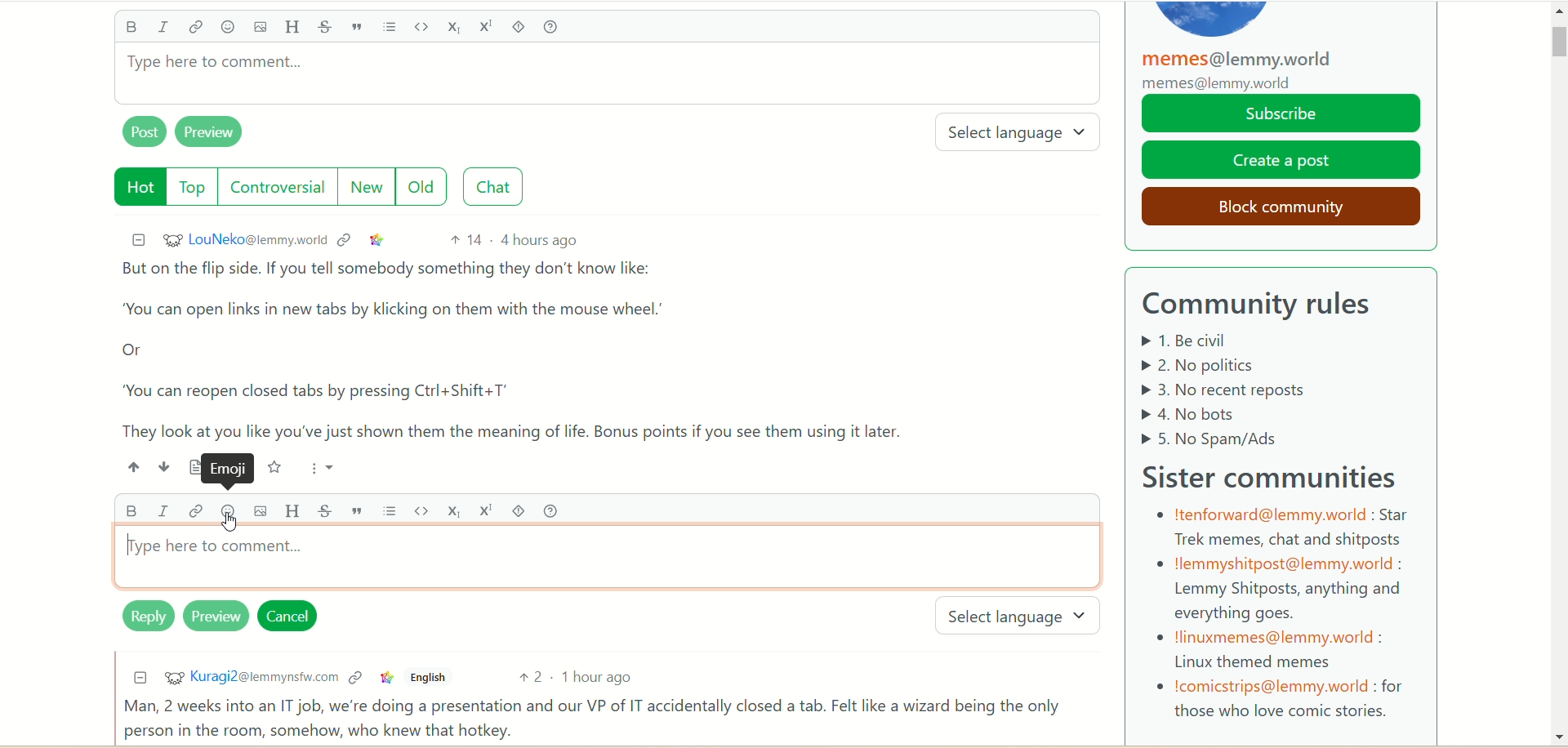  Describe the element at coordinates (521, 29) in the screenshot. I see `spoiler` at that location.